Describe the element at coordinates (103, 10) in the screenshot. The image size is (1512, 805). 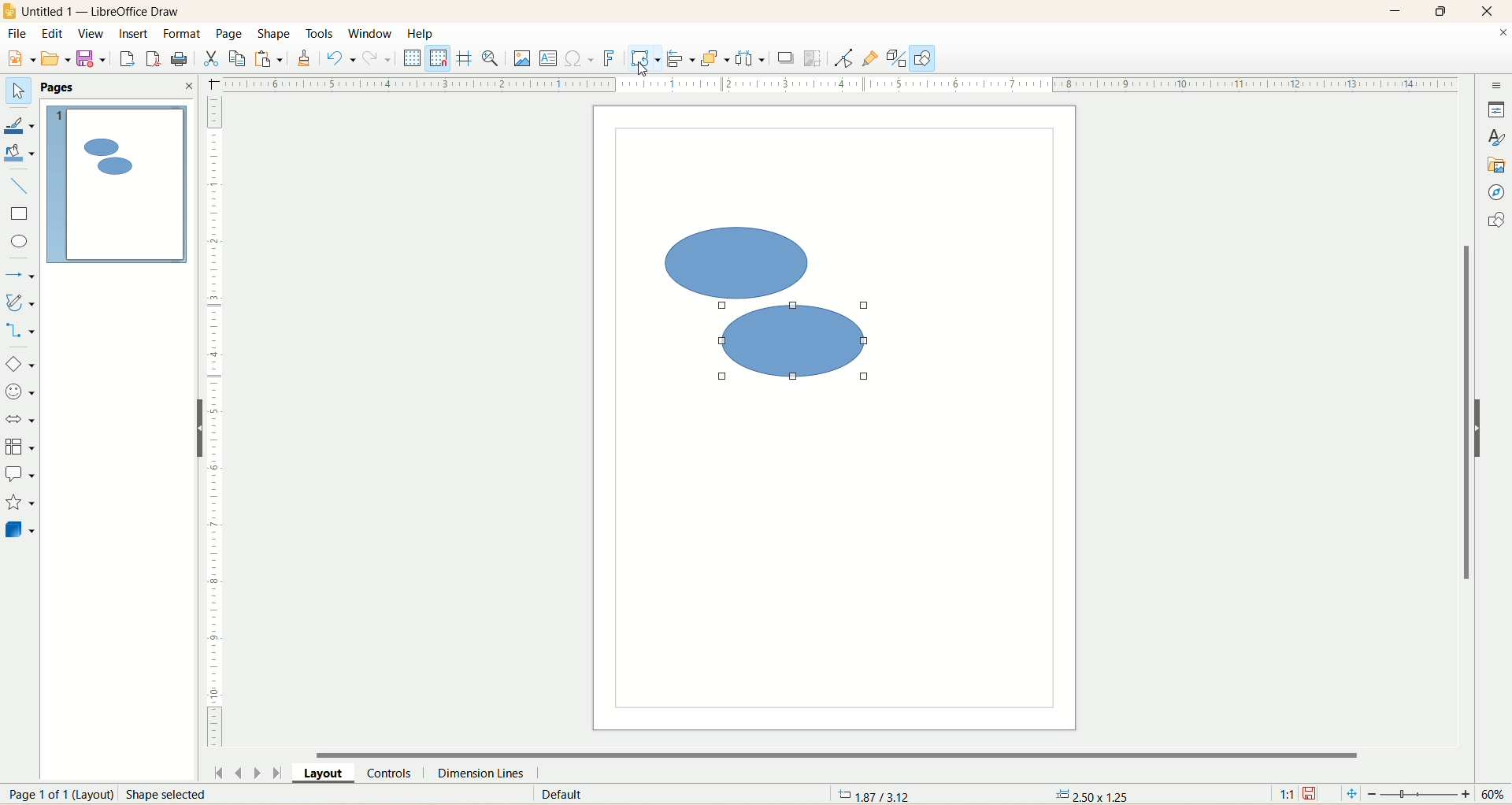
I see `title` at that location.